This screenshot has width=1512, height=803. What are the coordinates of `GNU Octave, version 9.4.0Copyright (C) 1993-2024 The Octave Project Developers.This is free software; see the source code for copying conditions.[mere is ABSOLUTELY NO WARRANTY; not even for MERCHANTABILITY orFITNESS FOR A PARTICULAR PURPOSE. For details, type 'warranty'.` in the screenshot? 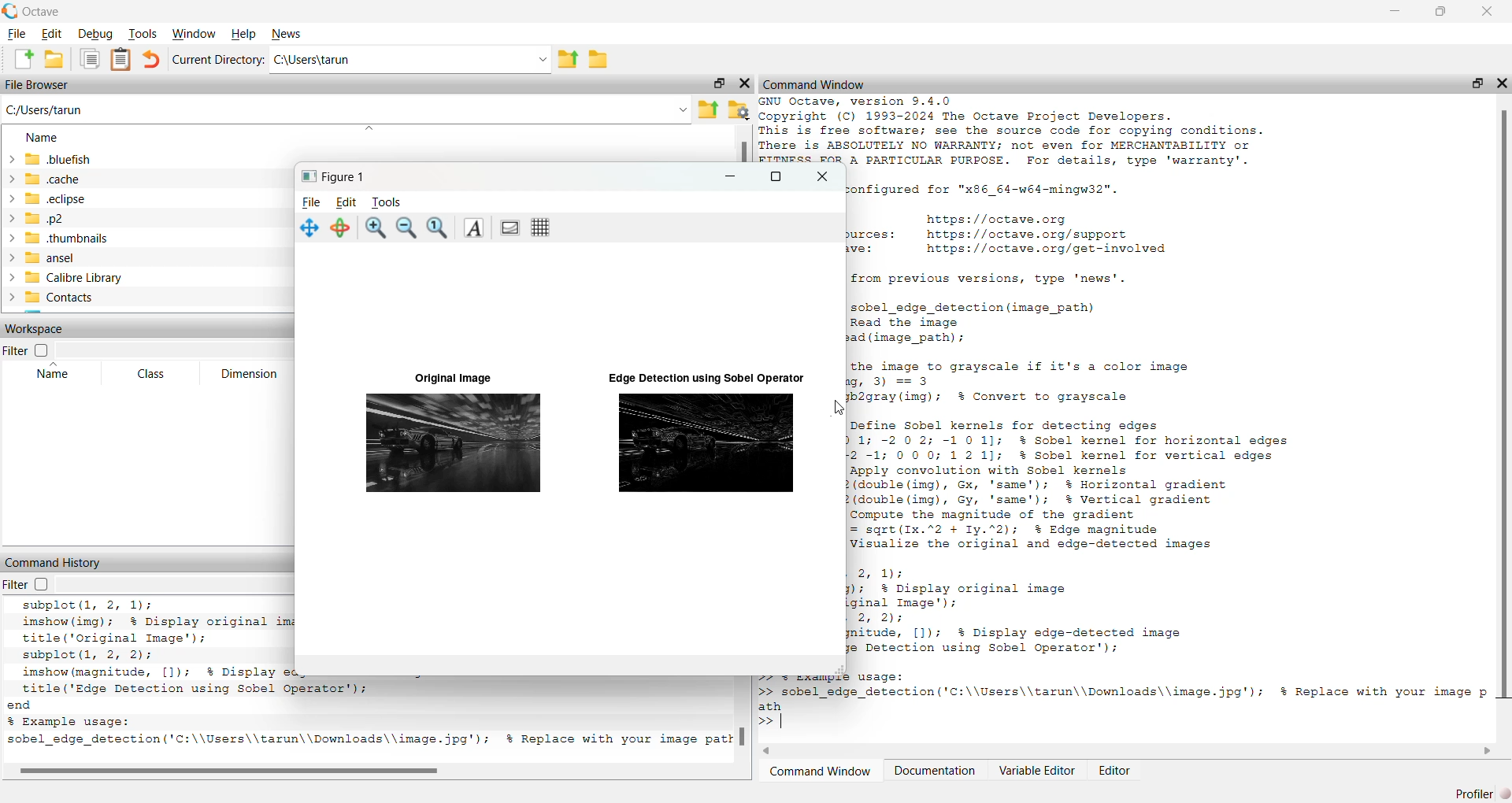 It's located at (1042, 129).